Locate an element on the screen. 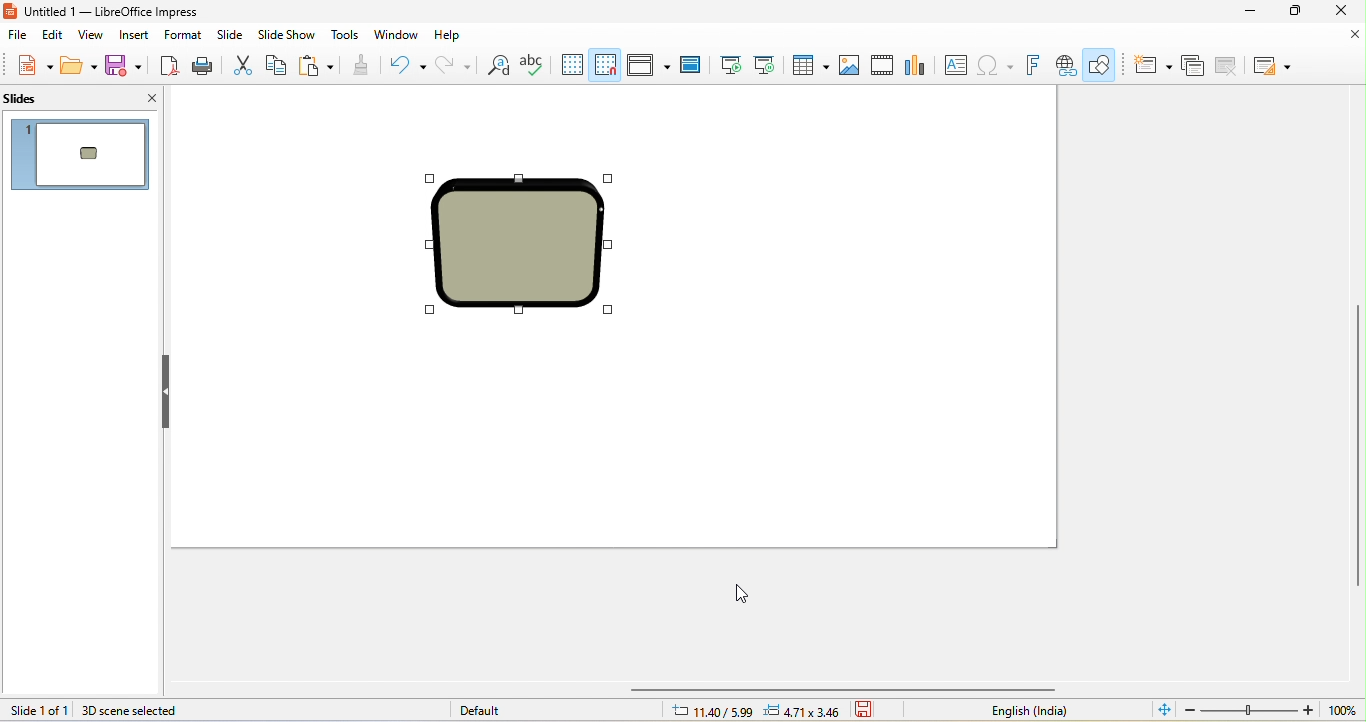 The image size is (1366, 722). fontwork text is located at coordinates (1036, 65).